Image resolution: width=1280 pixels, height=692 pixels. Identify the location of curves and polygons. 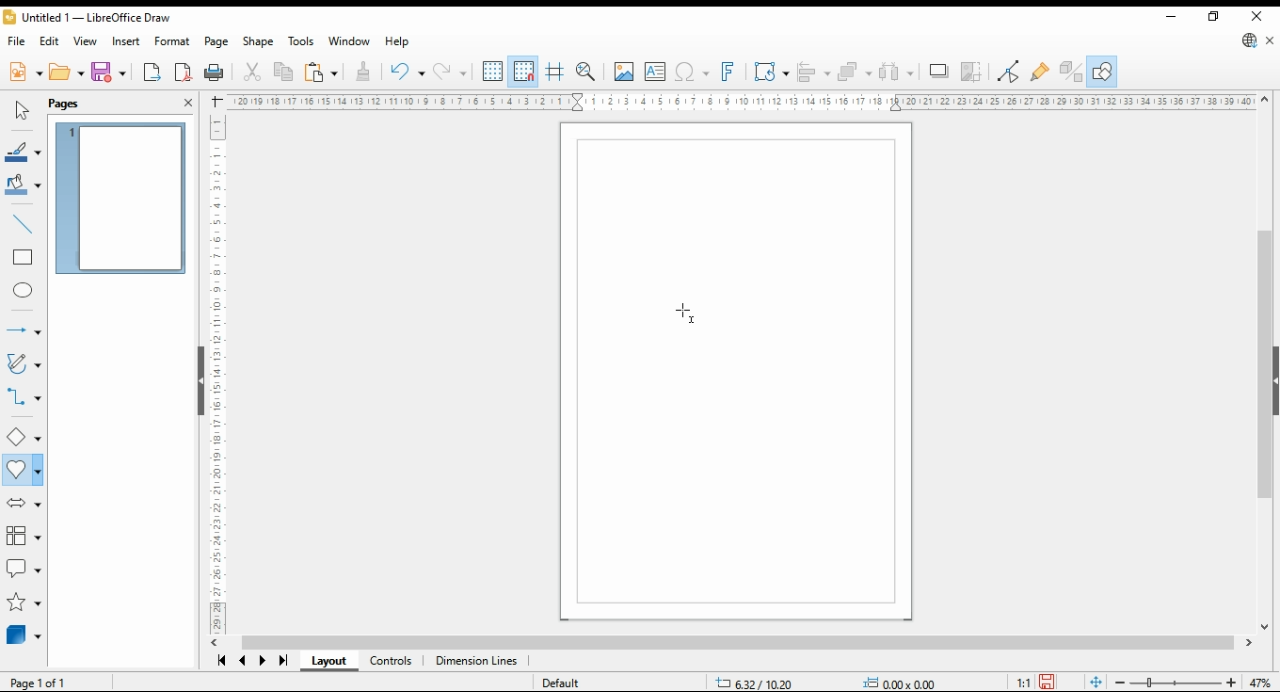
(24, 364).